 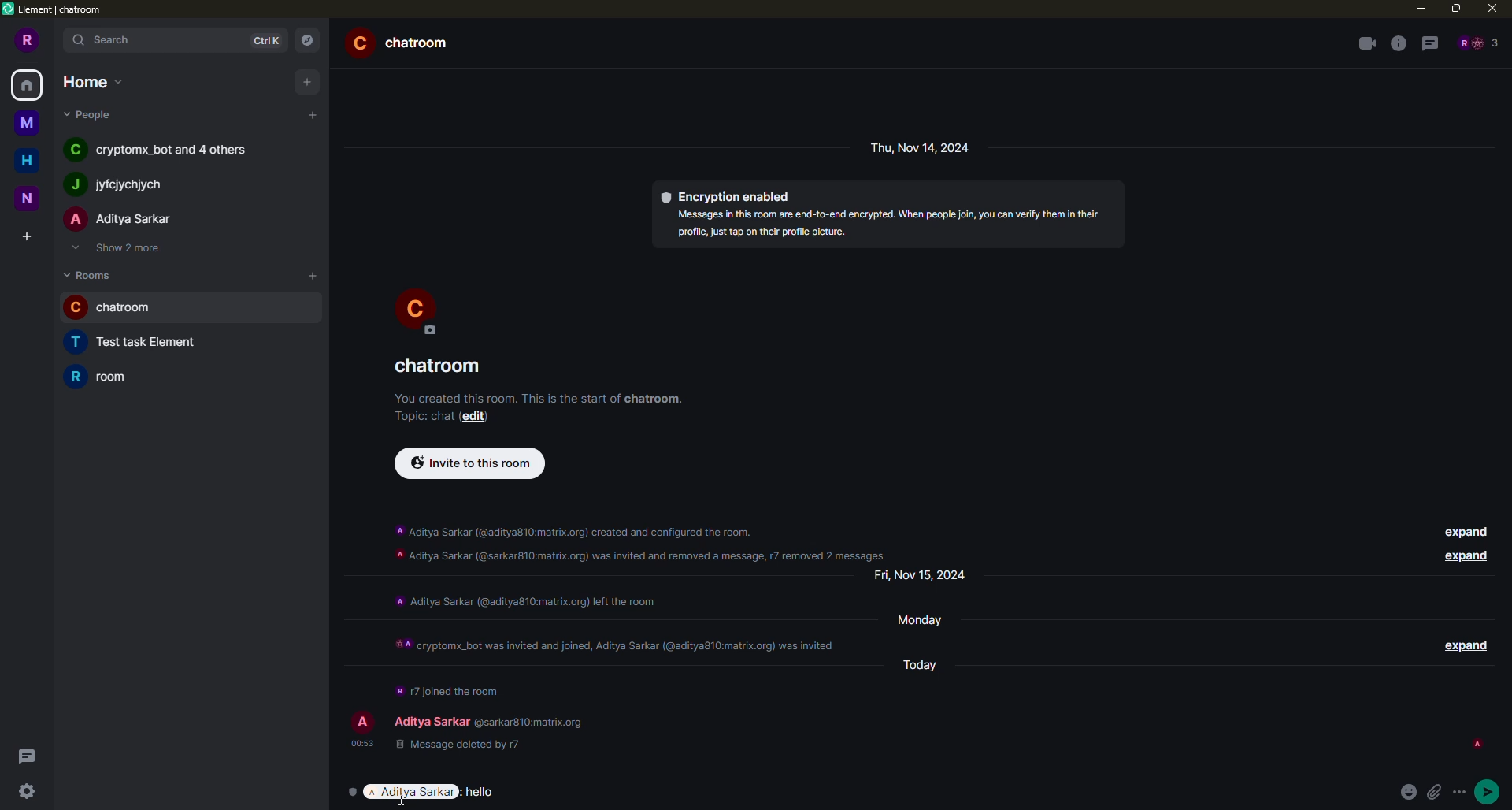 I want to click on room, so click(x=118, y=308).